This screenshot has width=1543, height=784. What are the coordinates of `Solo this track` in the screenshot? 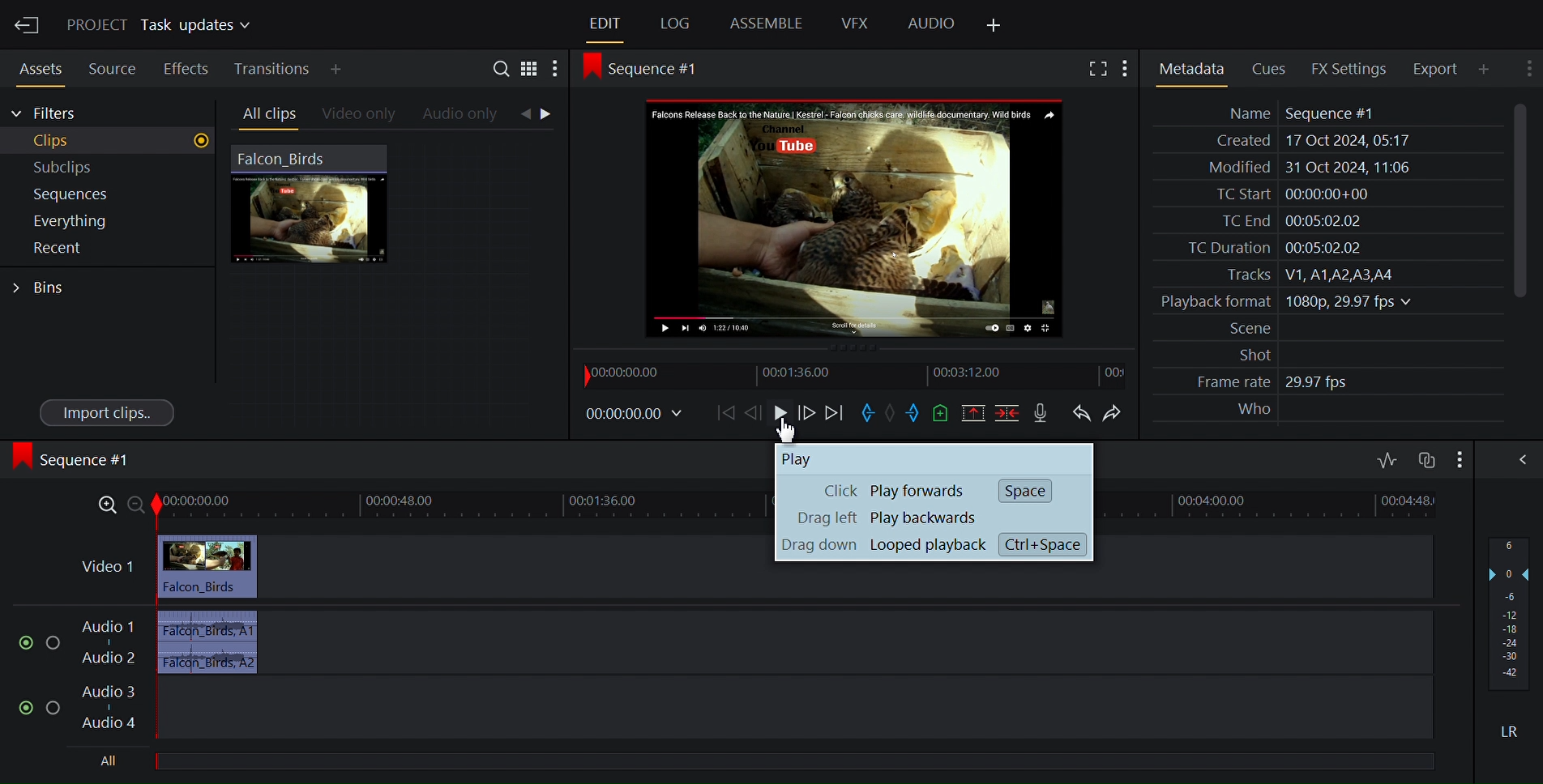 It's located at (53, 638).